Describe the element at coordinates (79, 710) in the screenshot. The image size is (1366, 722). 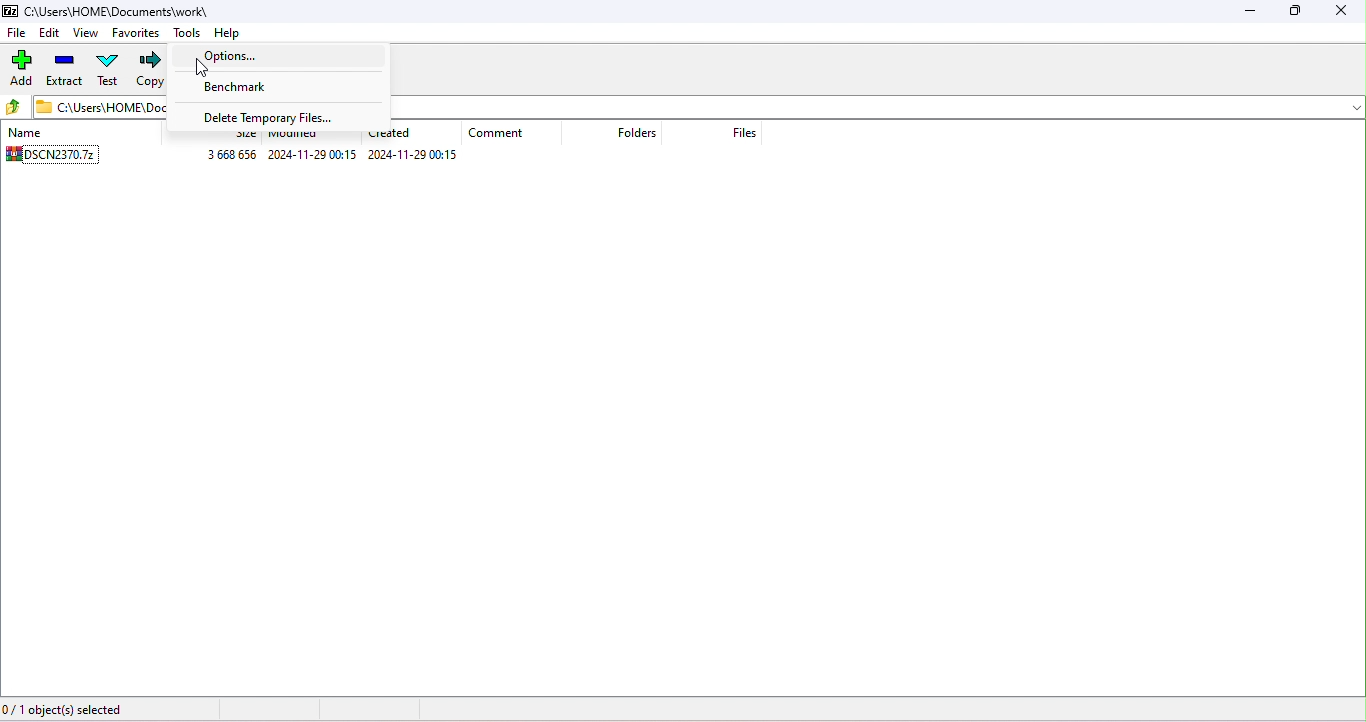
I see `0/1 object(s) selected` at that location.